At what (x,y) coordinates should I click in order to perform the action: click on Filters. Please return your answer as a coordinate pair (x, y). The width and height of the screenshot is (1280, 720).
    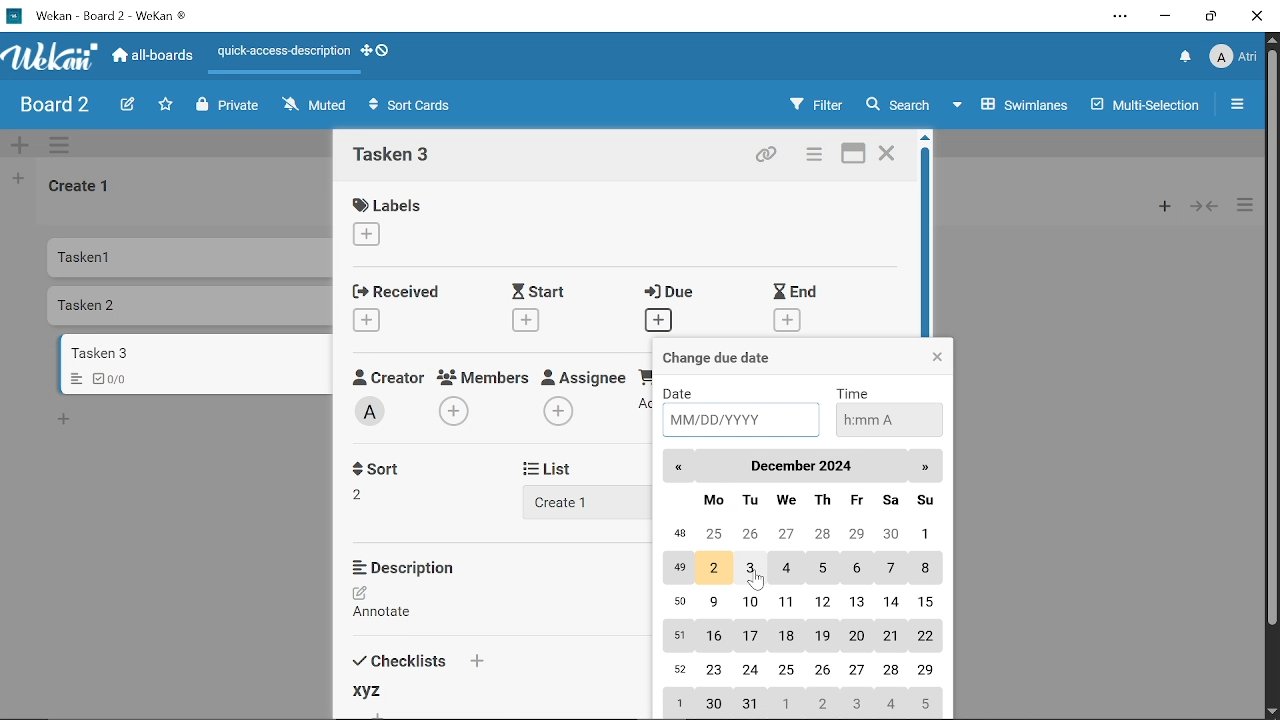
    Looking at the image, I should click on (814, 105).